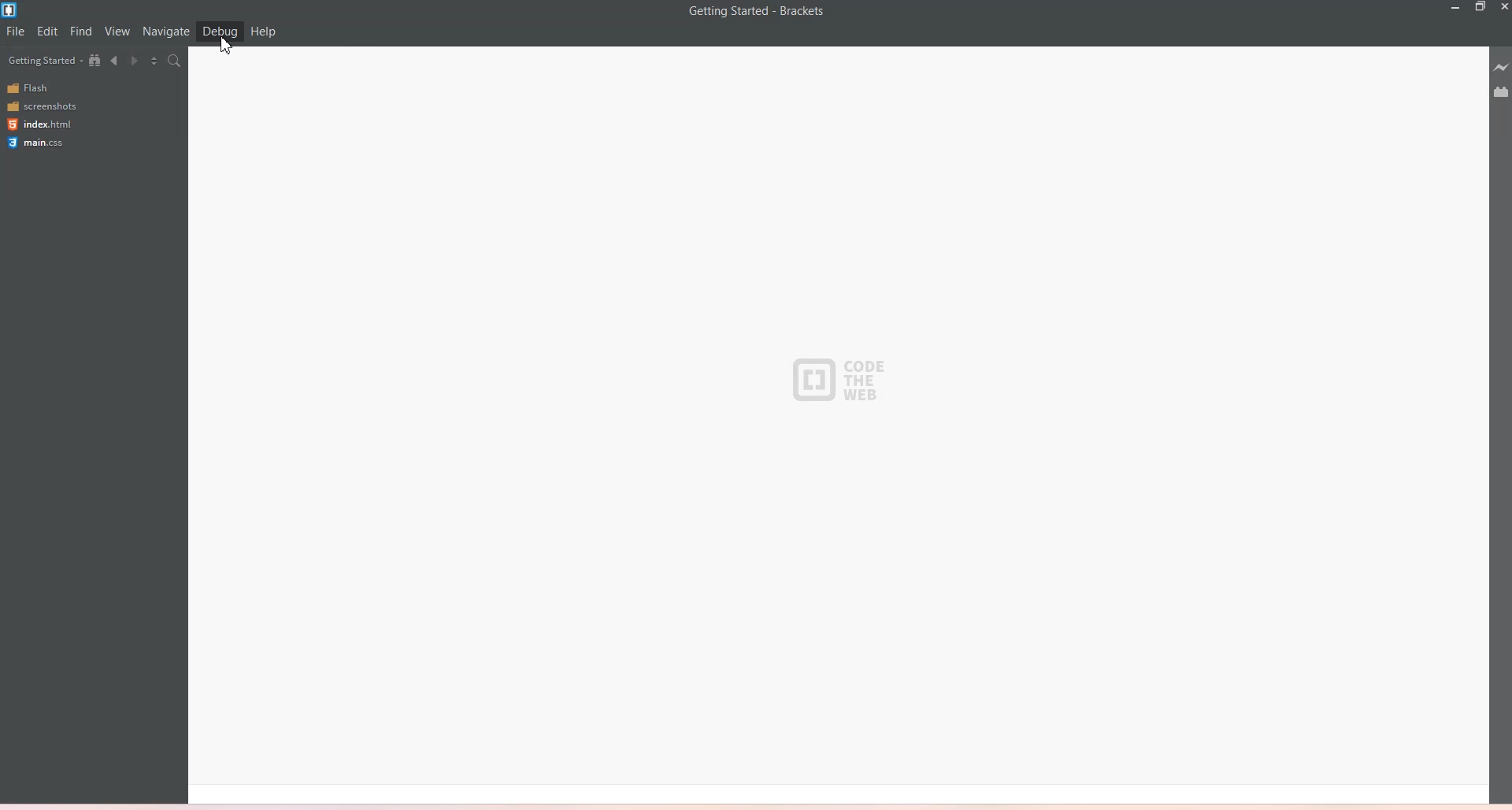 The width and height of the screenshot is (1512, 810). What do you see at coordinates (137, 61) in the screenshot?
I see `Navigate Forwards` at bounding box center [137, 61].